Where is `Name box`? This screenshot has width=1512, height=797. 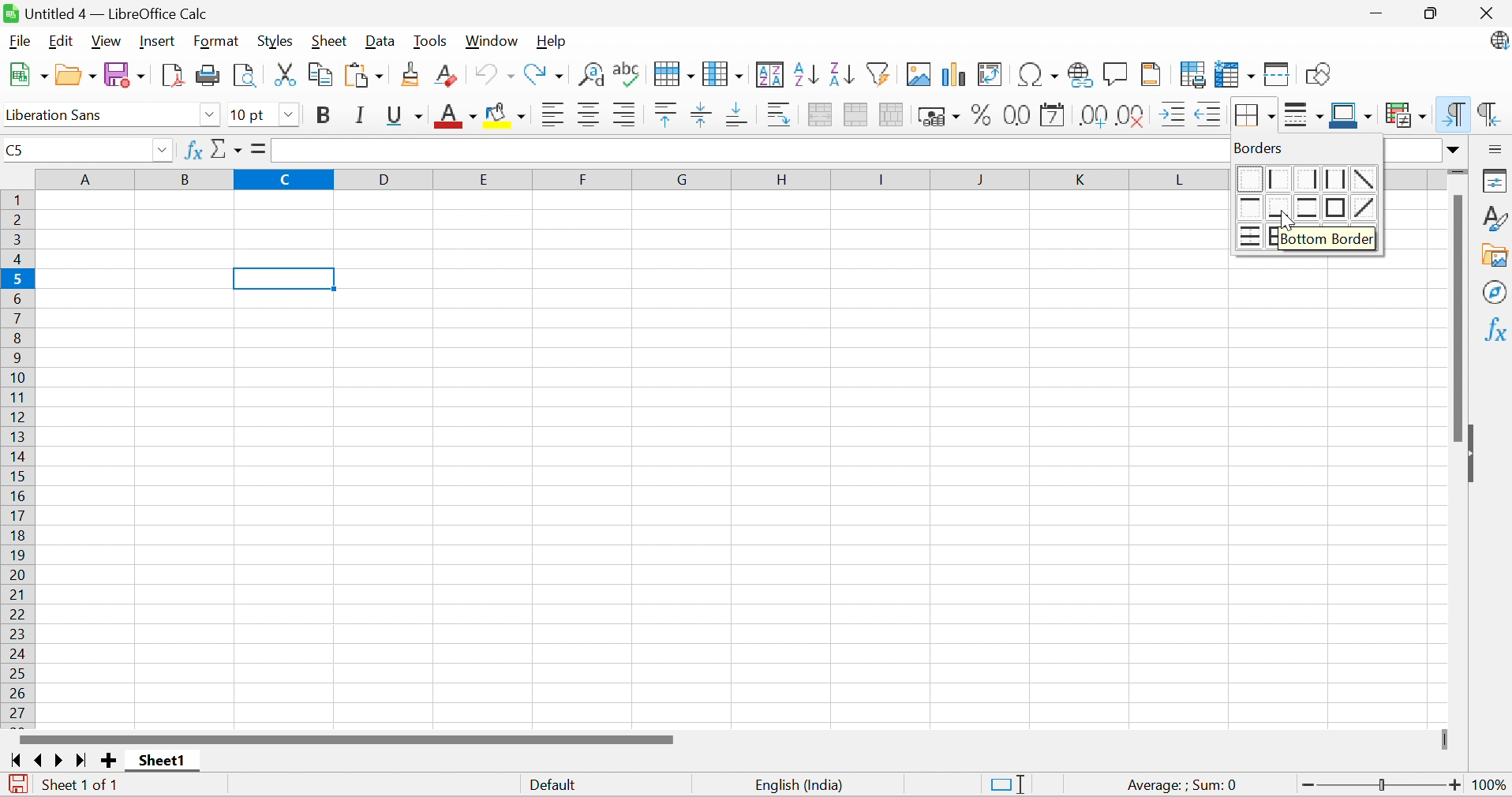
Name box is located at coordinates (74, 150).